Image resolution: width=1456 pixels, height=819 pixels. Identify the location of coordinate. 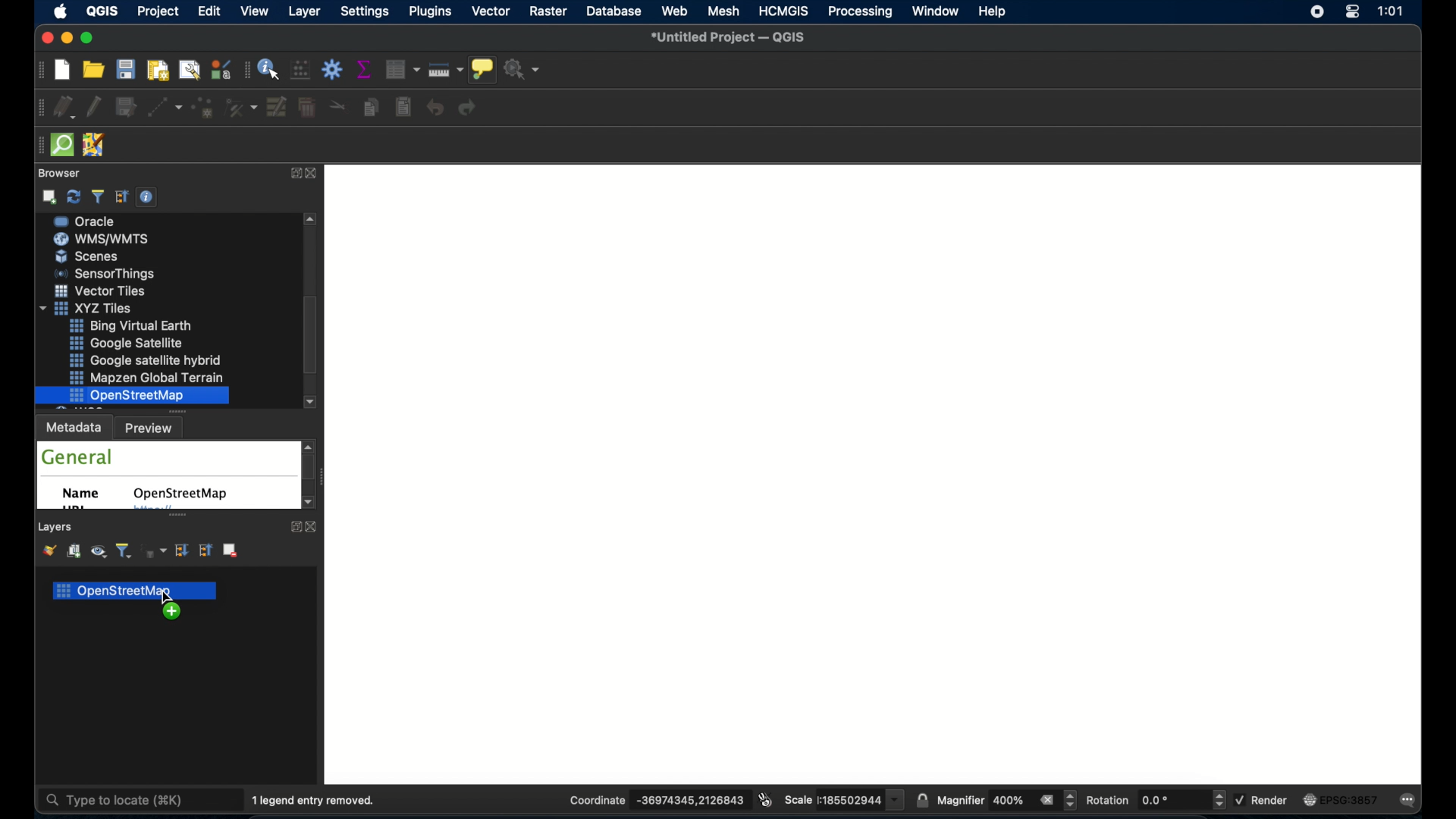
(656, 800).